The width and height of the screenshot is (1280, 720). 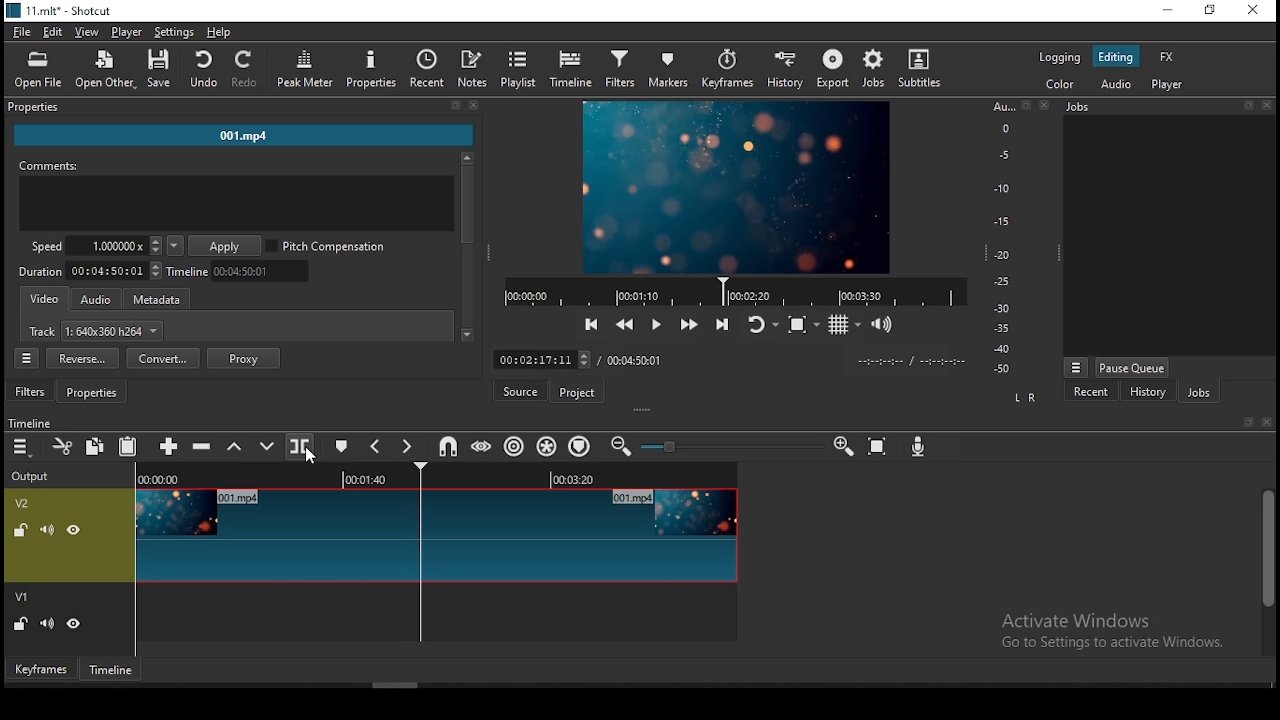 What do you see at coordinates (171, 448) in the screenshot?
I see `append` at bounding box center [171, 448].